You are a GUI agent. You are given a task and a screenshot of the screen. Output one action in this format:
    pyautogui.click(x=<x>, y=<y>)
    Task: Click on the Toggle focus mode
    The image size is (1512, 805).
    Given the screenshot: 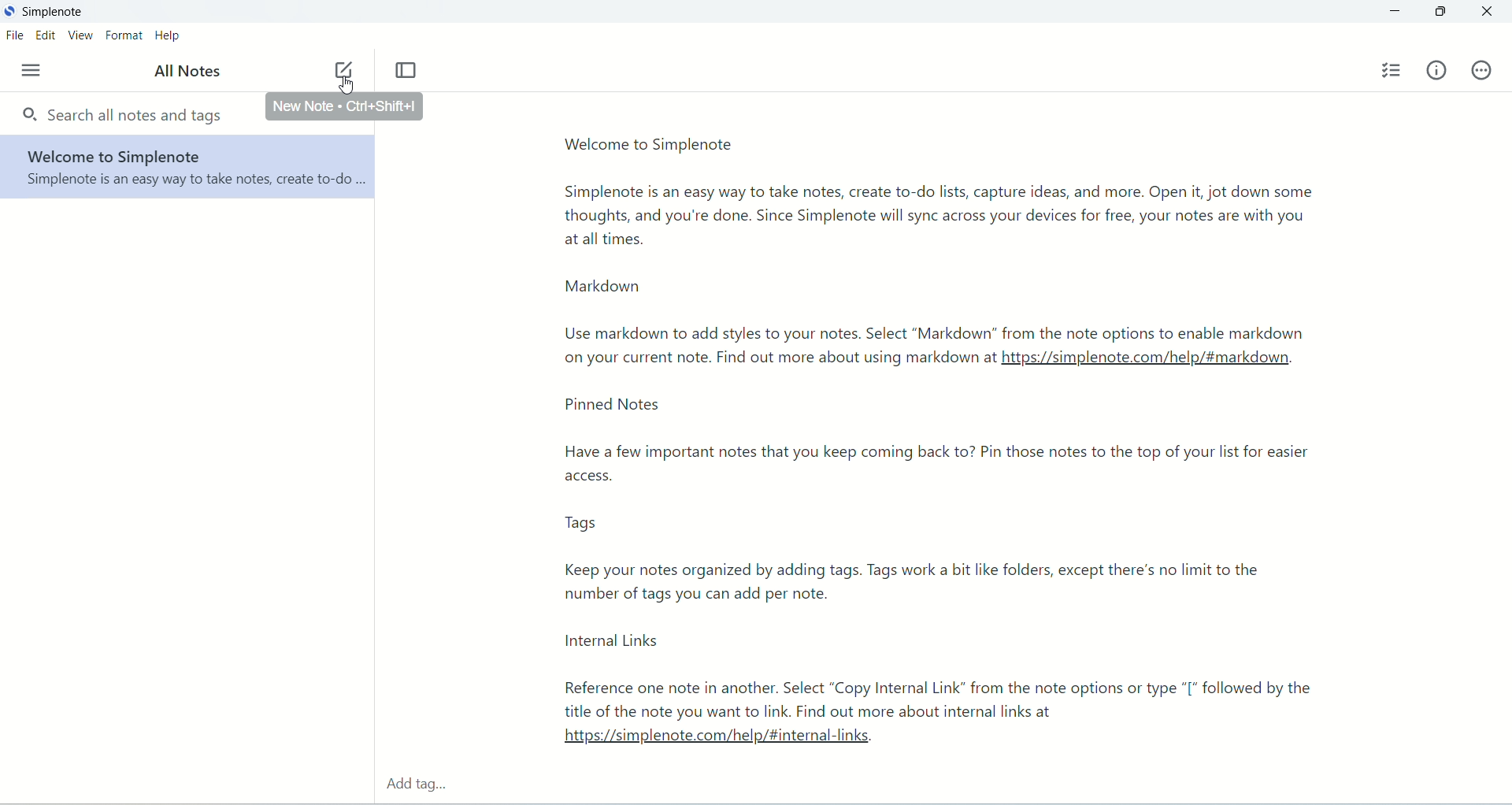 What is the action you would take?
    pyautogui.click(x=406, y=71)
    